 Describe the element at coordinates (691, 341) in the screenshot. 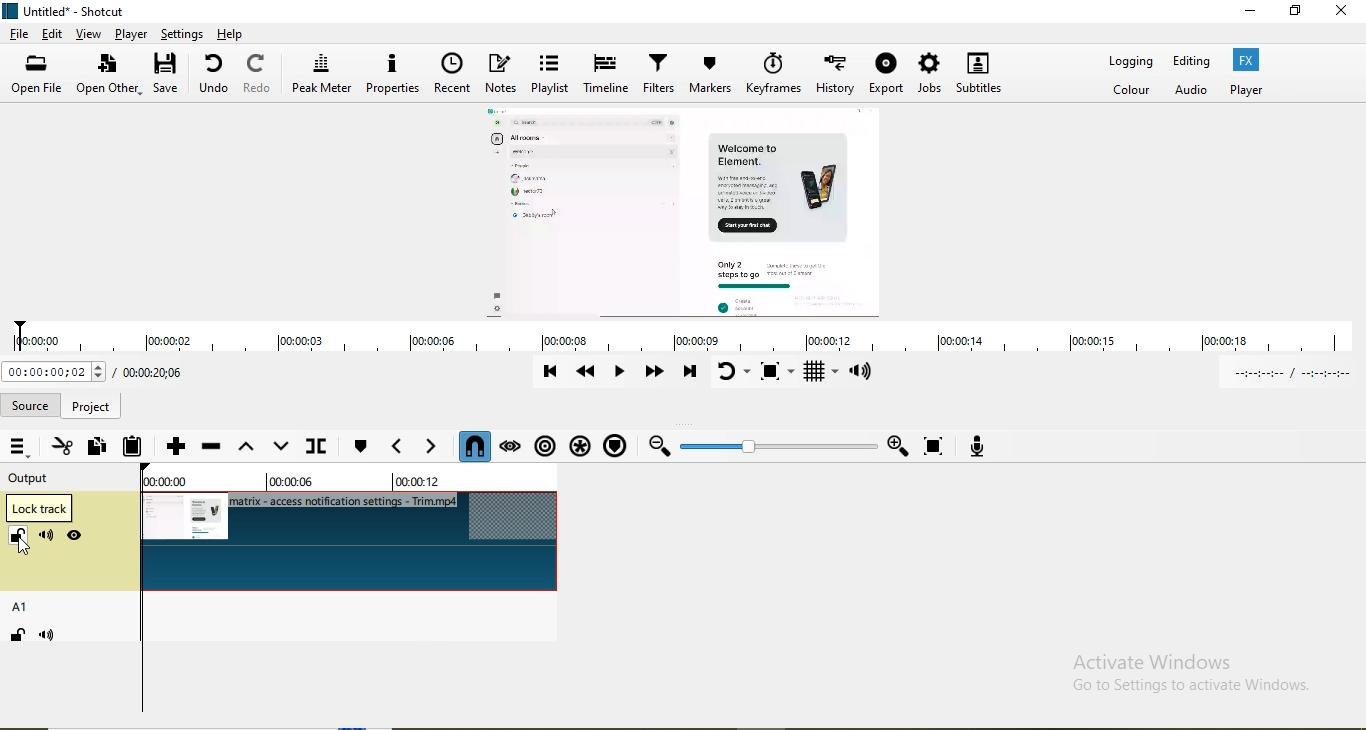

I see `timeline` at that location.